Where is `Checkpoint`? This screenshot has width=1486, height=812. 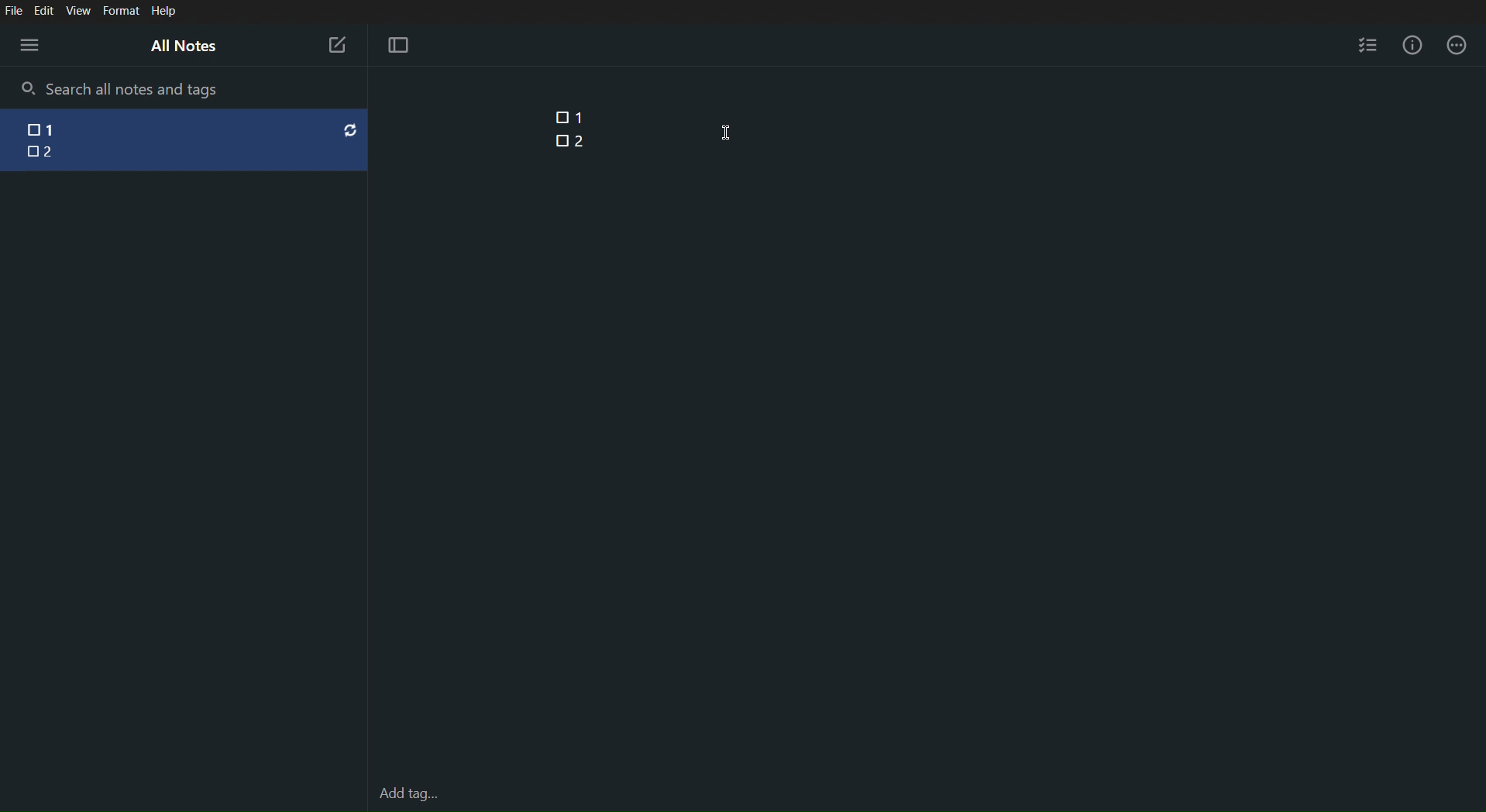
Checkpoint is located at coordinates (561, 140).